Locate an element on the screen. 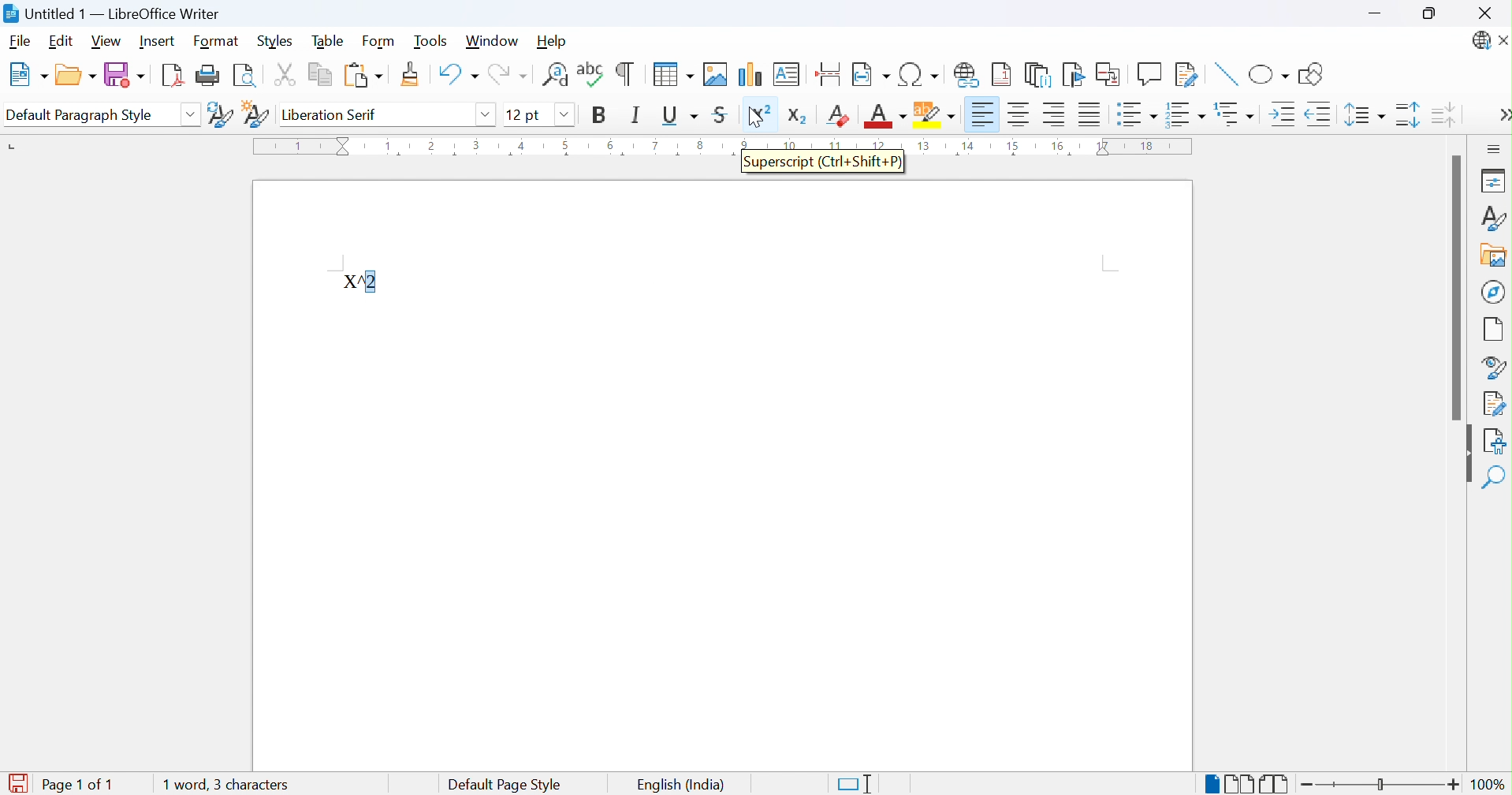 This screenshot has height=795, width=1512. Accessibility check is located at coordinates (1495, 441).